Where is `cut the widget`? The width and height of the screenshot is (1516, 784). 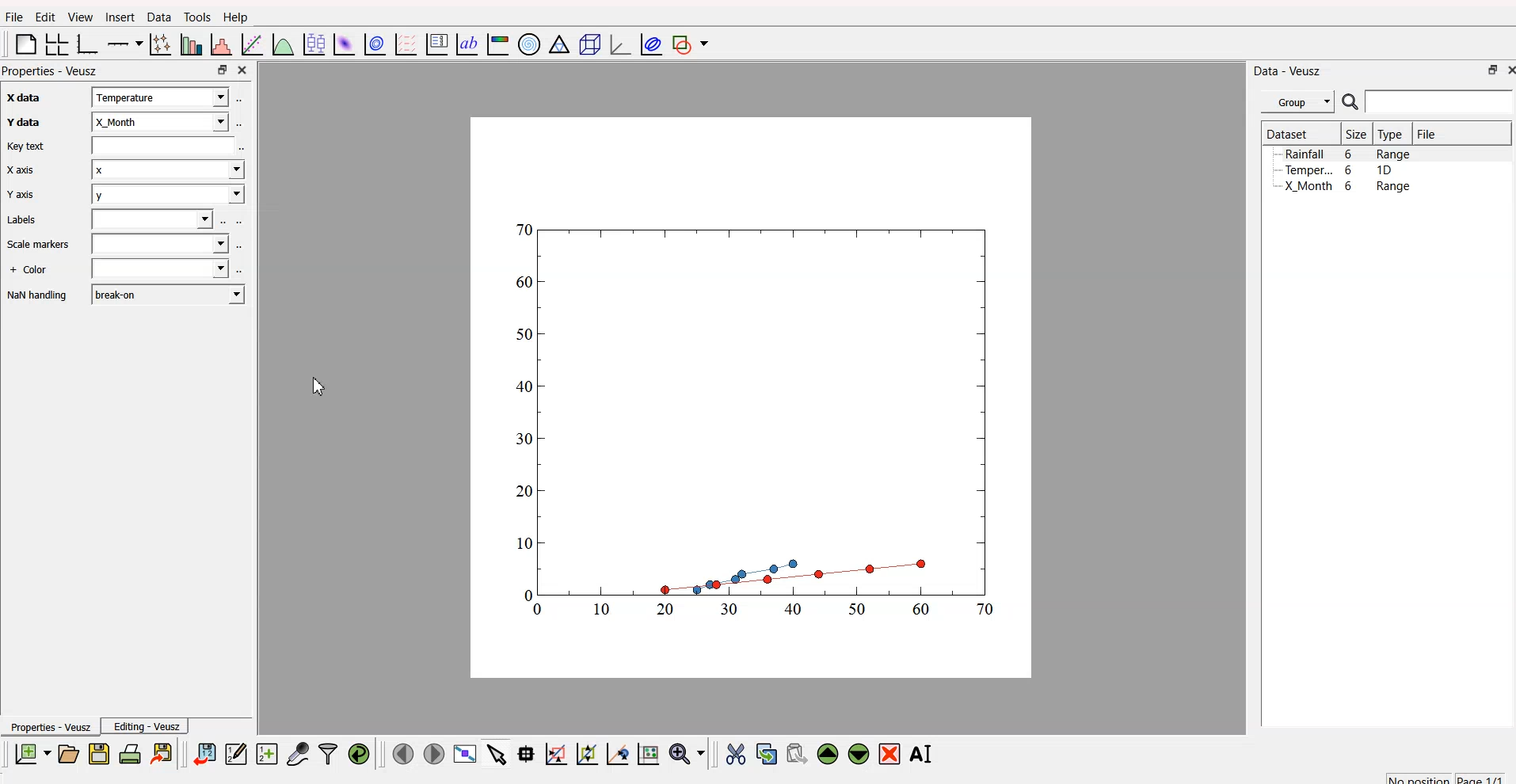
cut the widget is located at coordinates (734, 753).